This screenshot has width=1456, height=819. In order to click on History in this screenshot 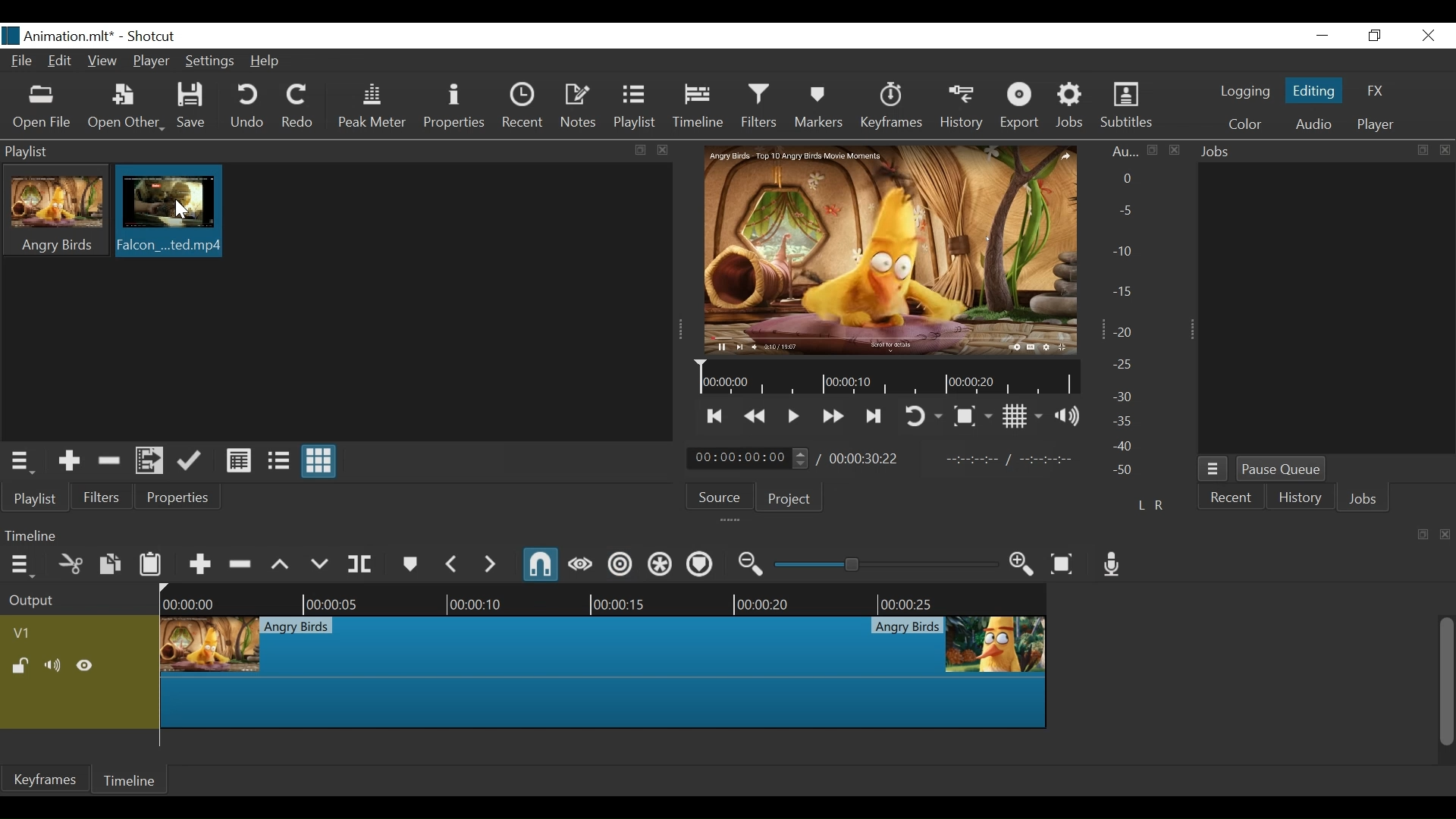, I will do `click(1301, 499)`.